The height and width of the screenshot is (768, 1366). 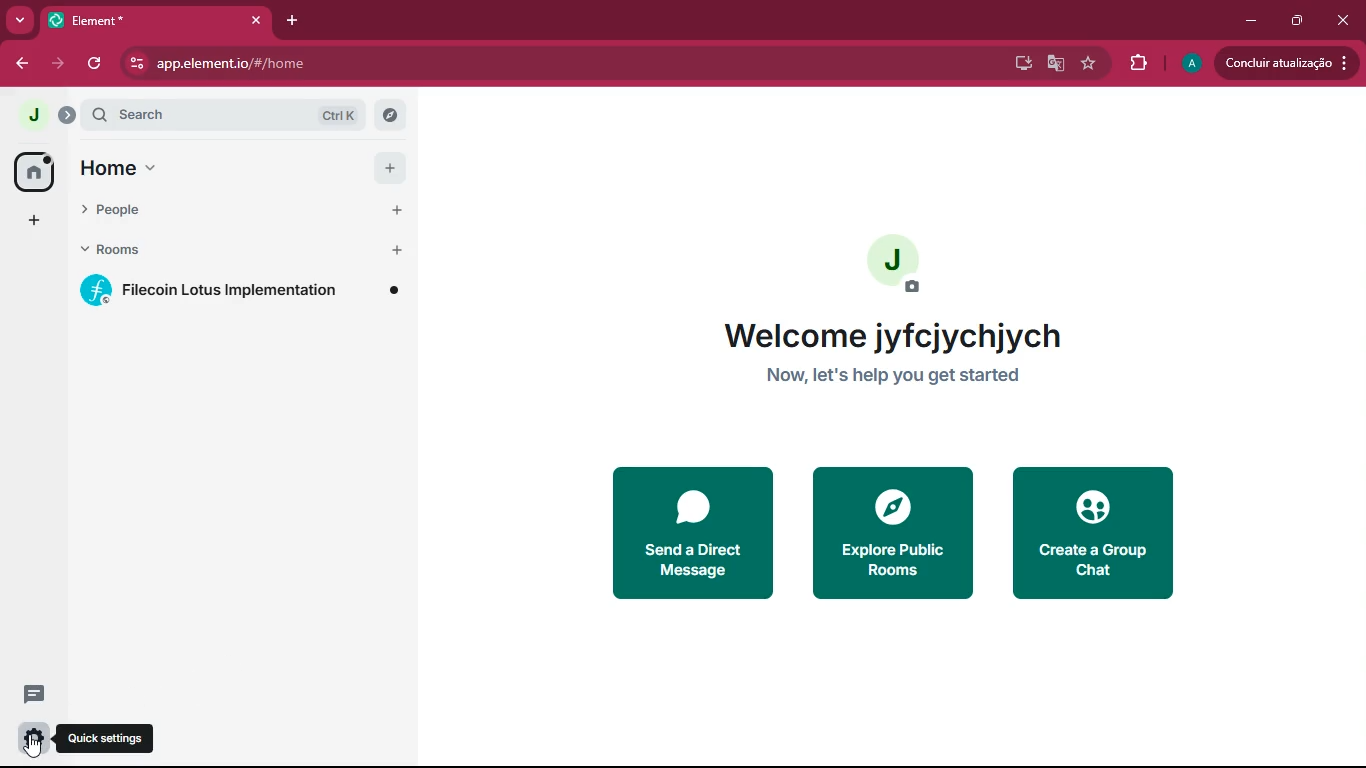 What do you see at coordinates (692, 534) in the screenshot?
I see `send a direct message` at bounding box center [692, 534].